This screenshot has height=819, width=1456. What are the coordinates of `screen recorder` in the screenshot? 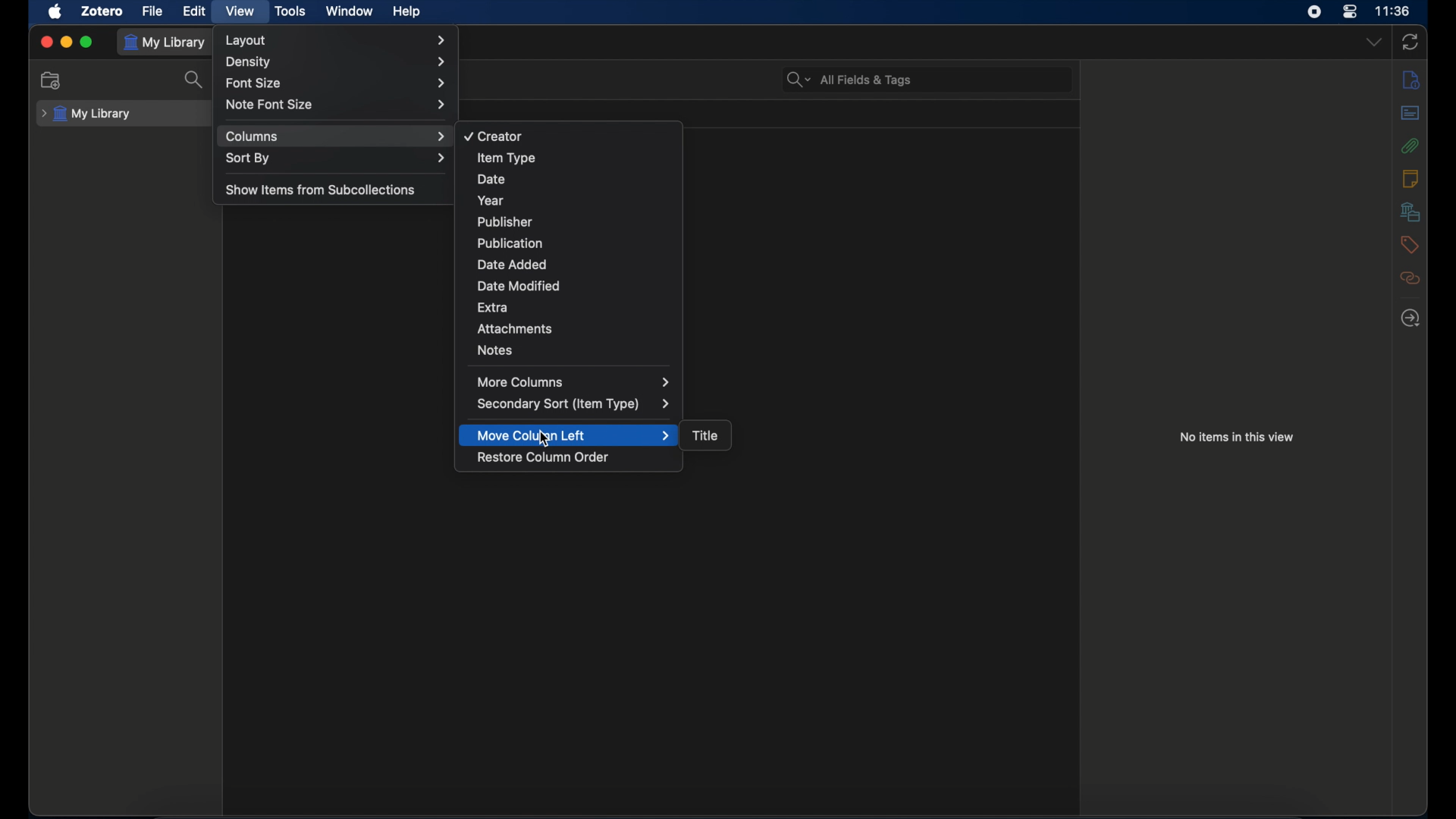 It's located at (1314, 11).